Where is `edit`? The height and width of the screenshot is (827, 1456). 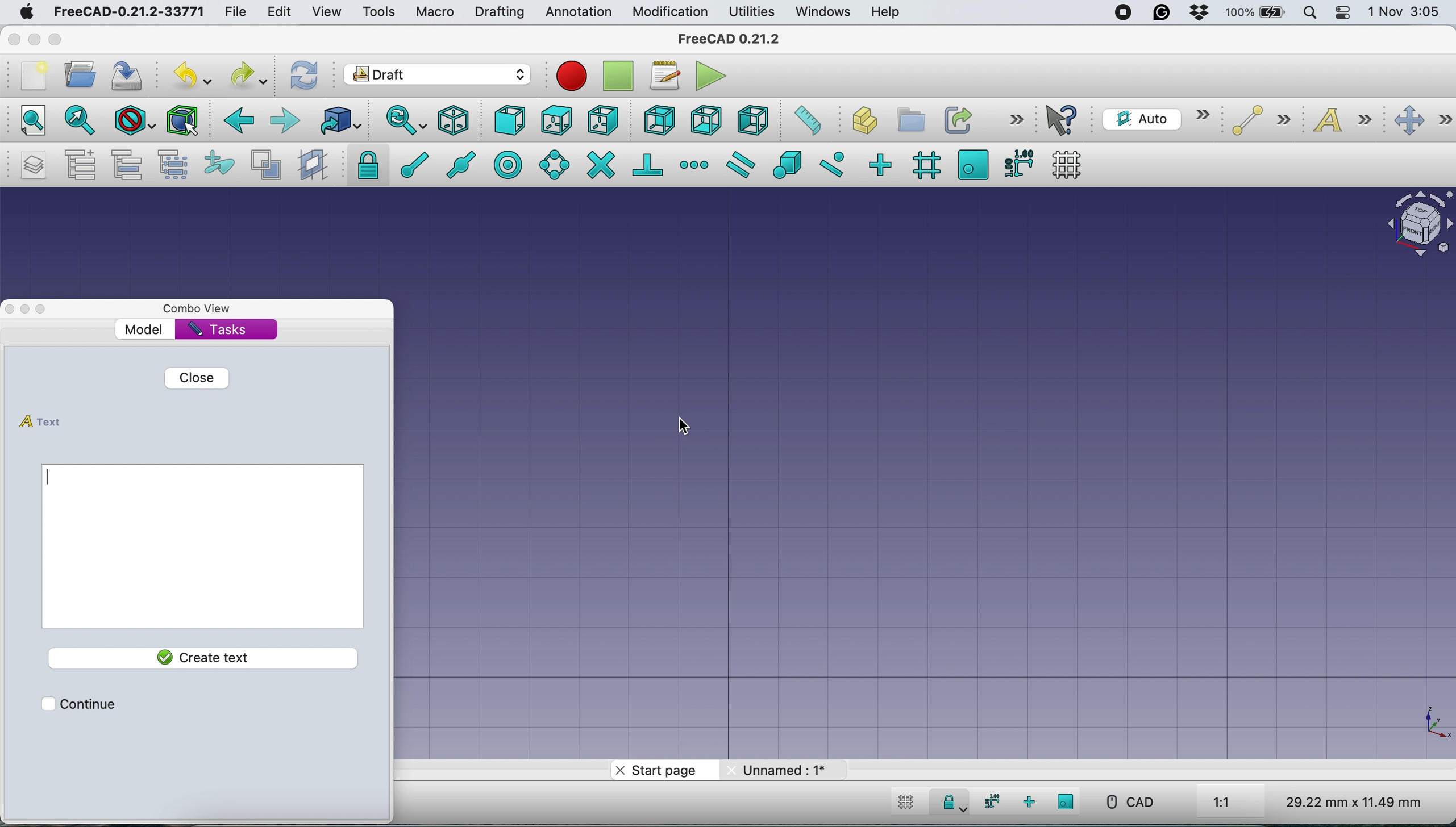
edit is located at coordinates (280, 11).